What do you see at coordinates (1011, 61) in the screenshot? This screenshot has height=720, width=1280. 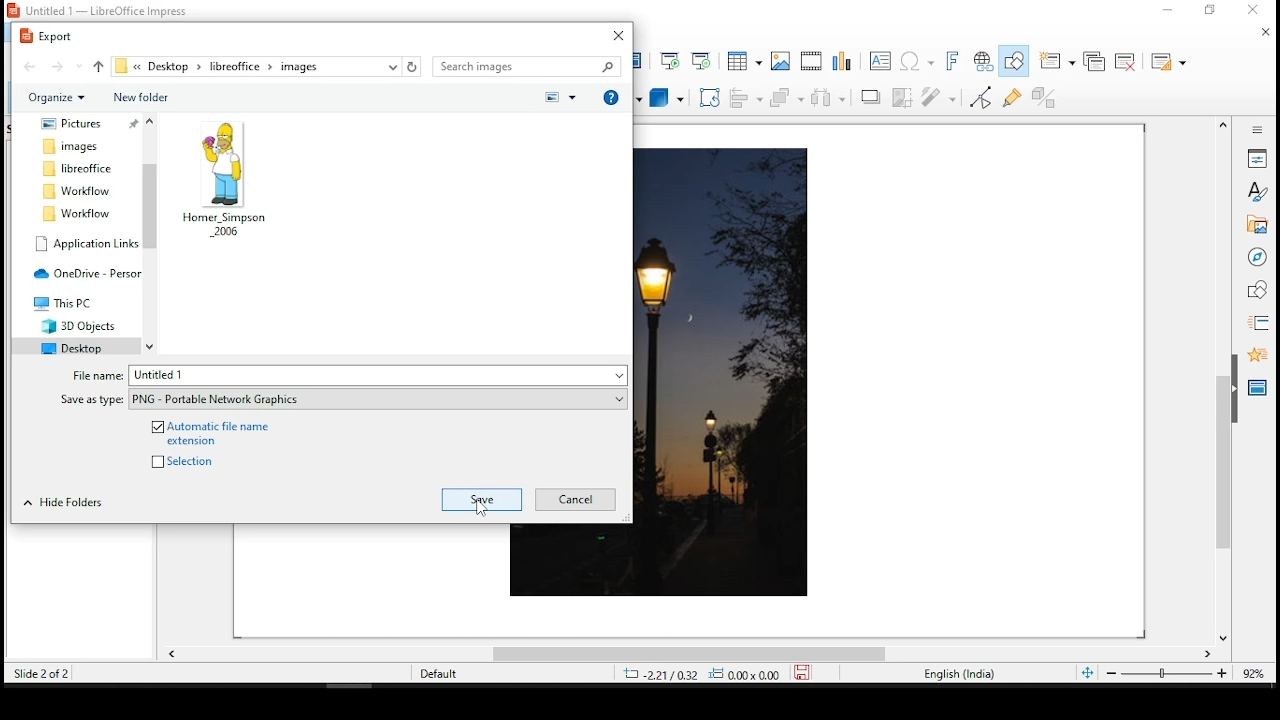 I see `show draw functions` at bounding box center [1011, 61].